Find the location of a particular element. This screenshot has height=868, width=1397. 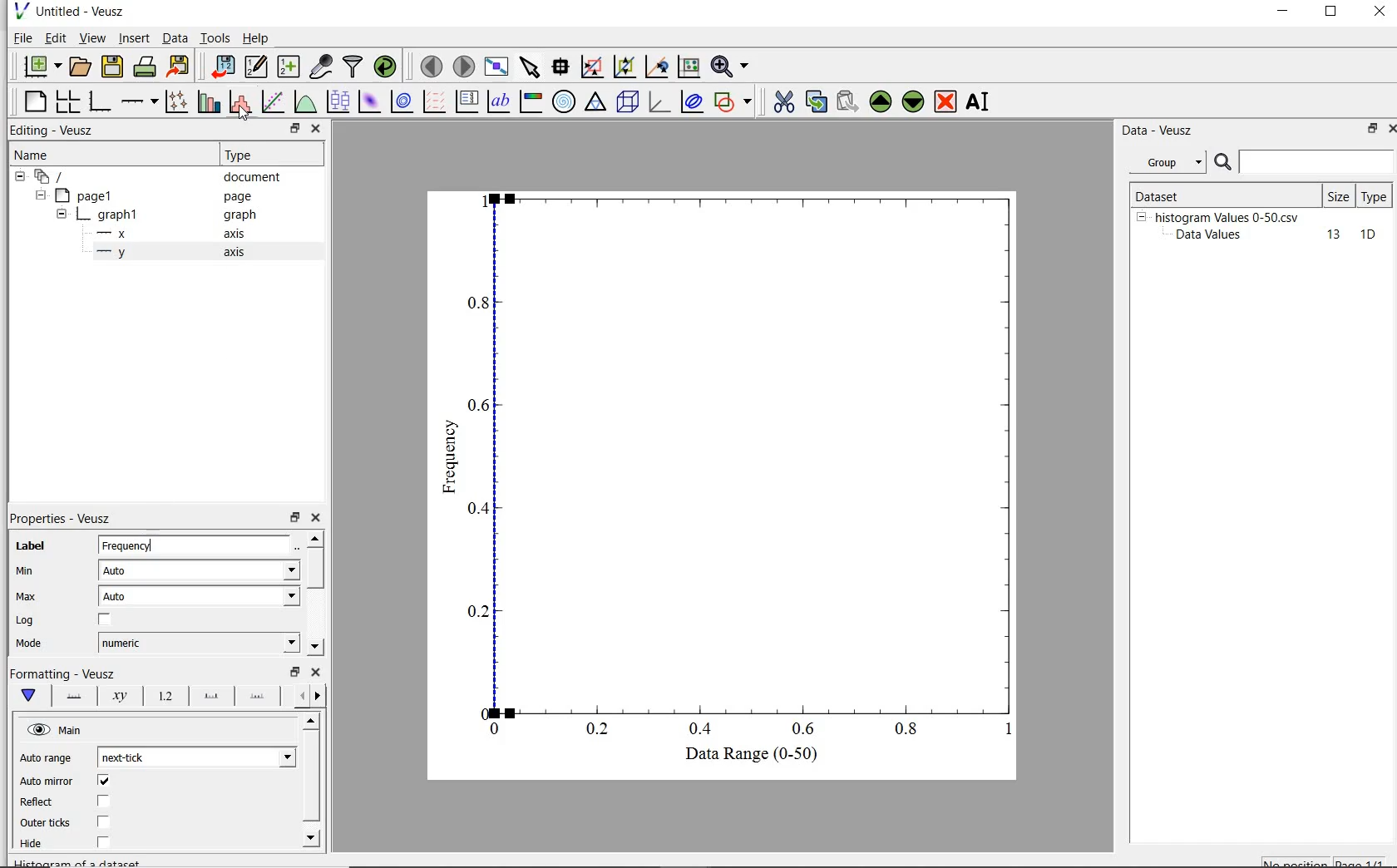

search for dataset names is located at coordinates (1317, 162).